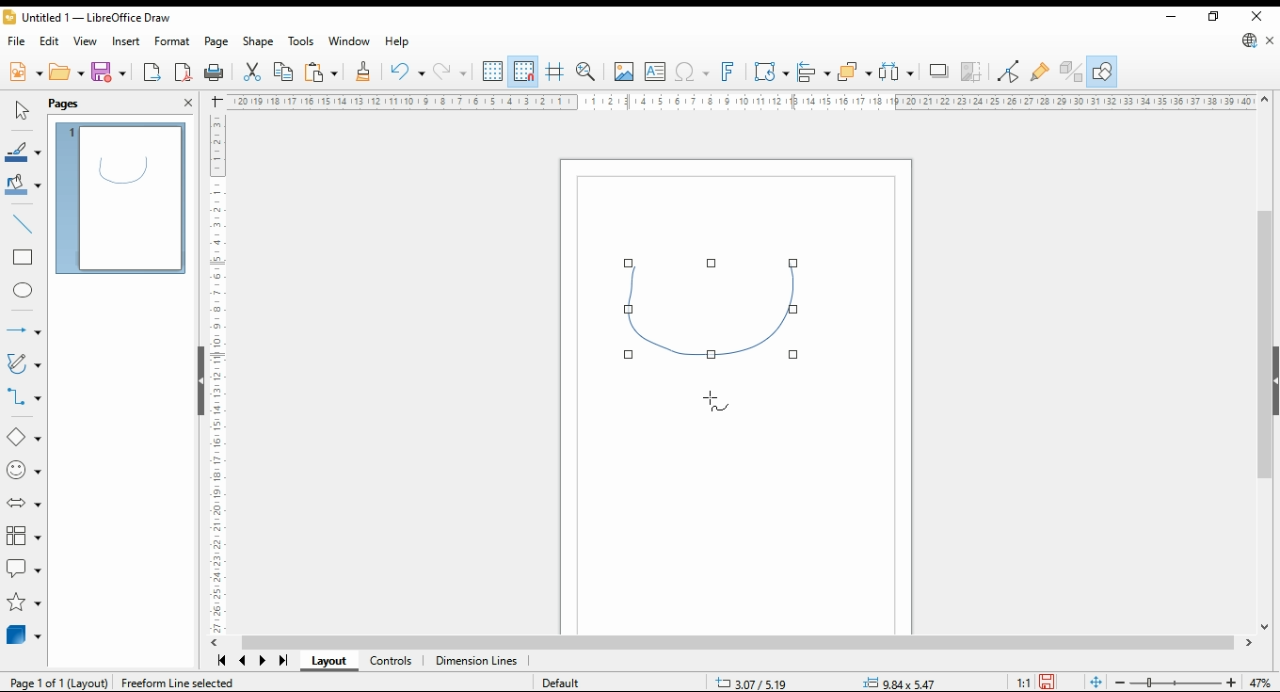 The width and height of the screenshot is (1280, 692). I want to click on paste, so click(320, 74).